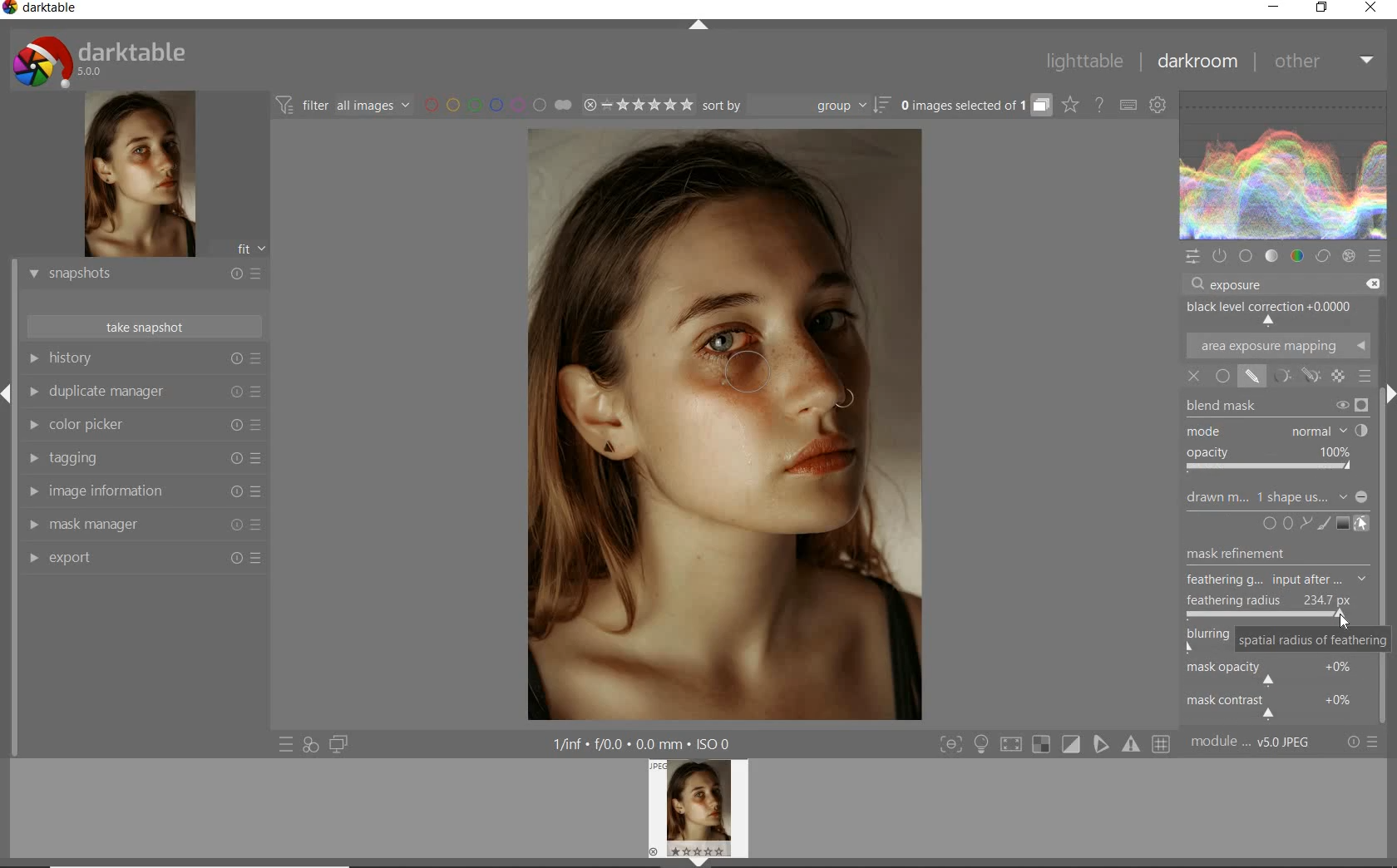 Image resolution: width=1397 pixels, height=868 pixels. I want to click on FEATHERING RADIUS ADJUSTED, so click(1275, 606).